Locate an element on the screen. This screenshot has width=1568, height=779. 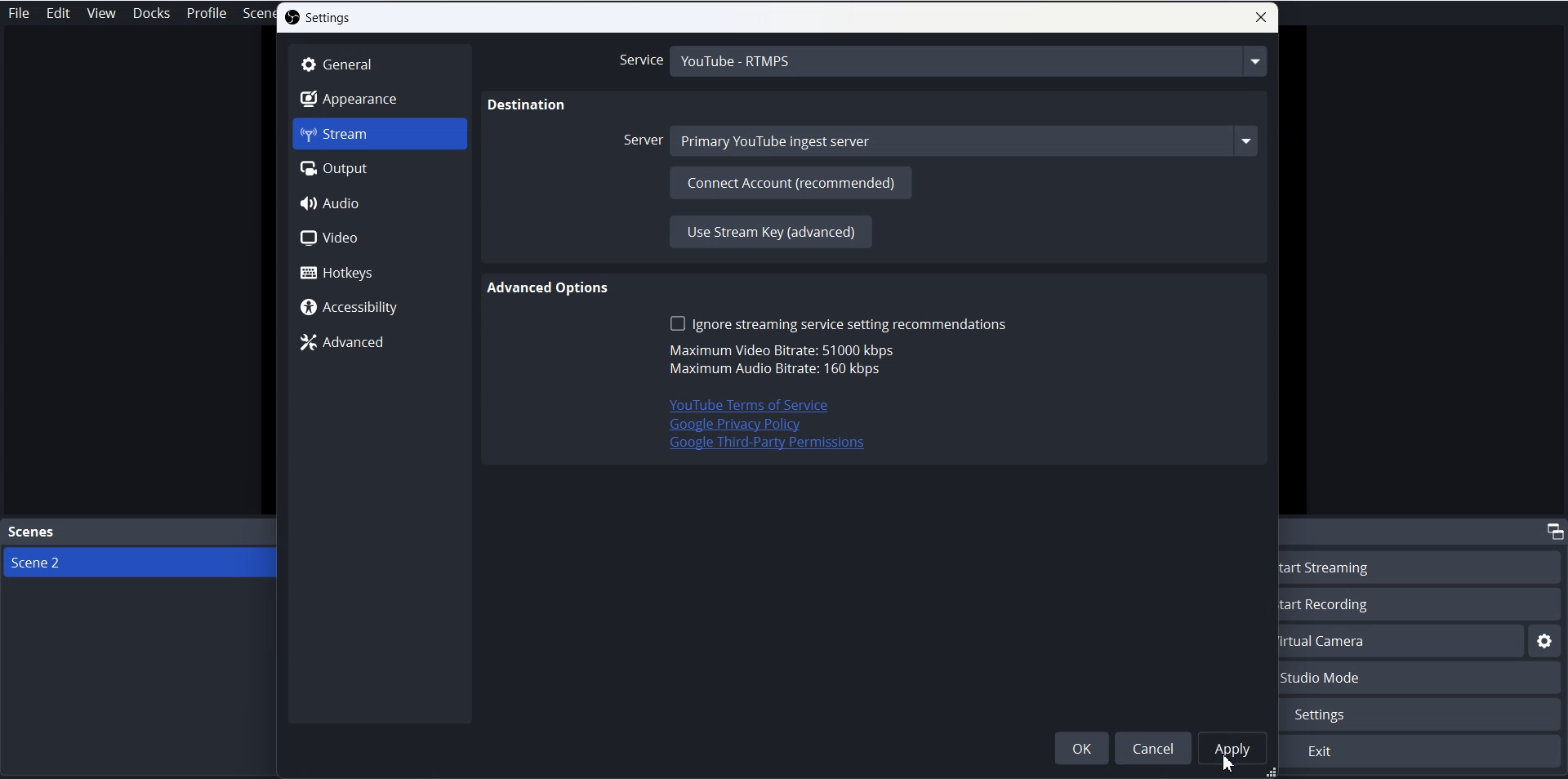
Apply is located at coordinates (1233, 748).